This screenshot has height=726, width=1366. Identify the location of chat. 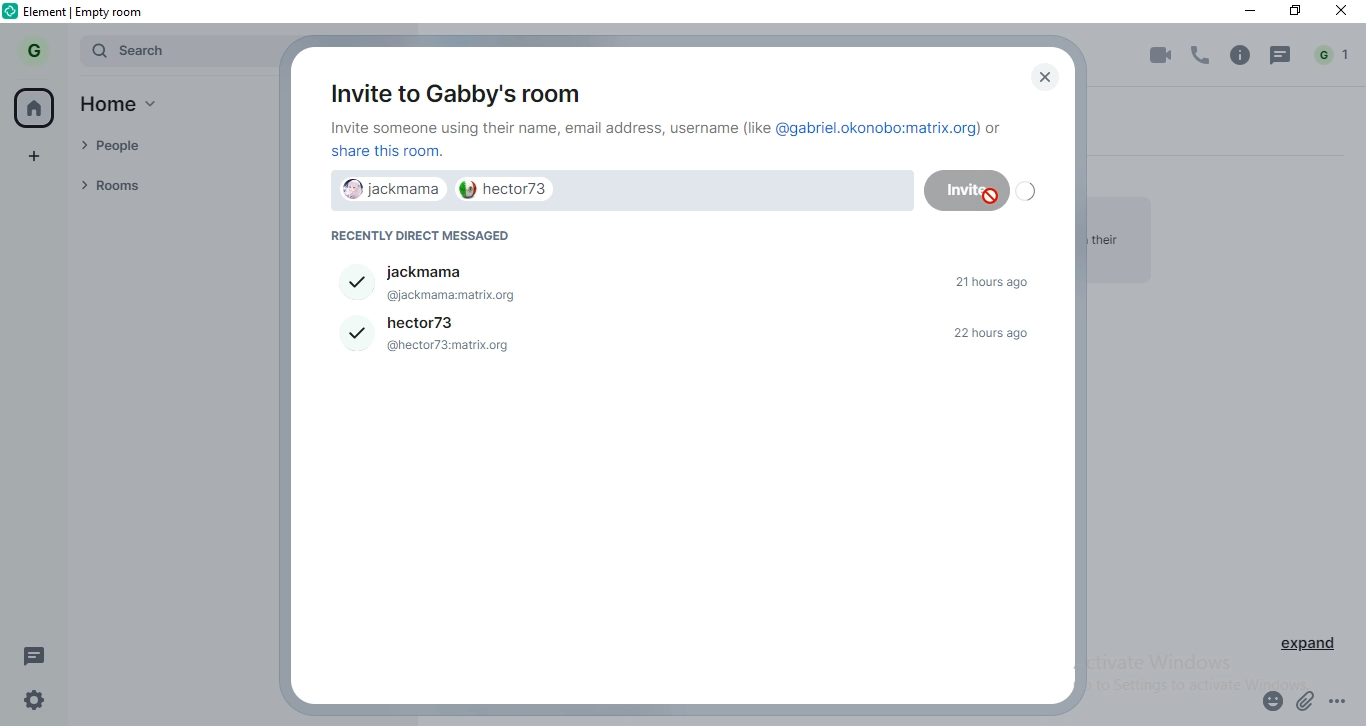
(1282, 56).